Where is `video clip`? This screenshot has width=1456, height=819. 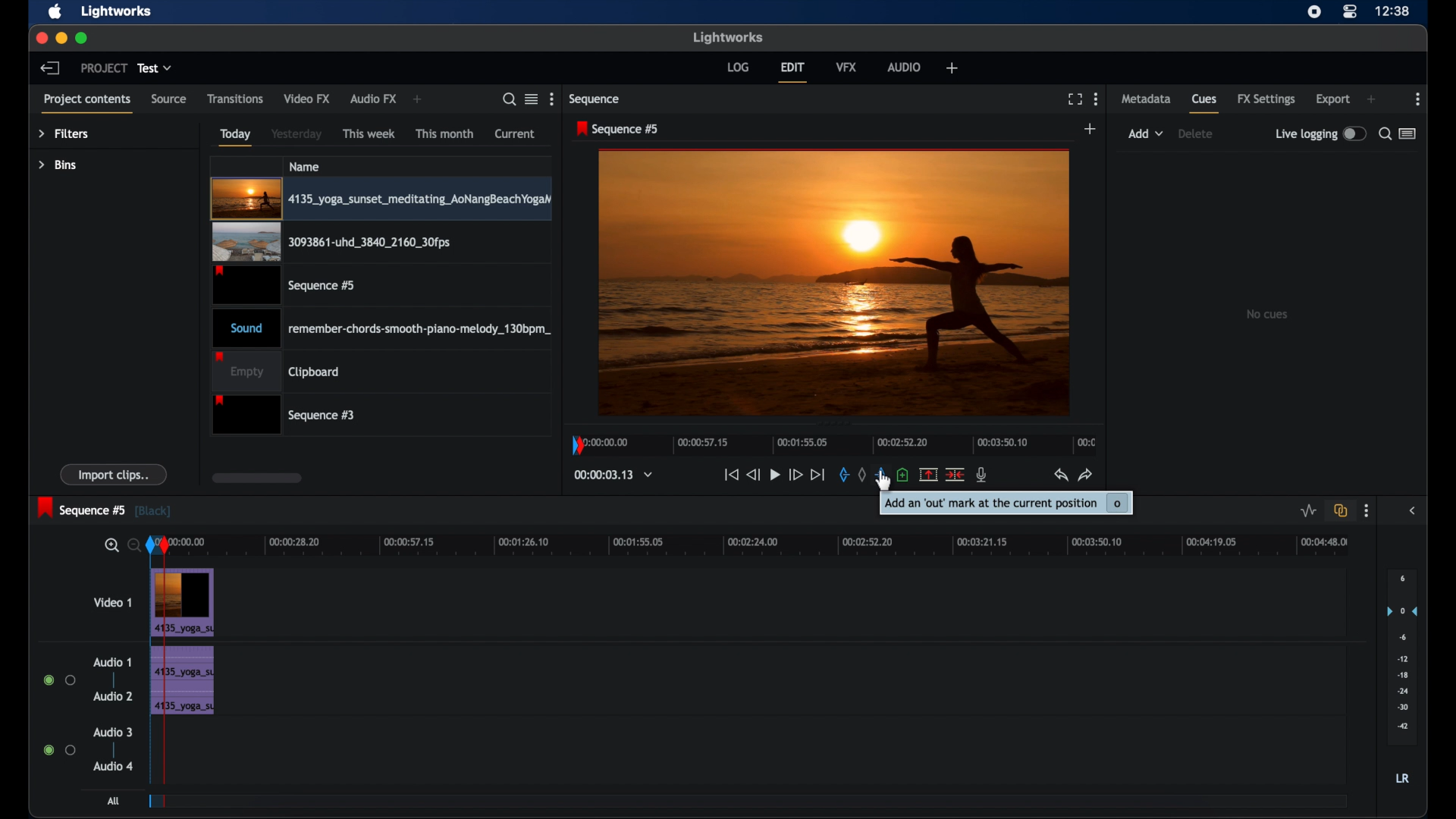 video clip is located at coordinates (331, 243).